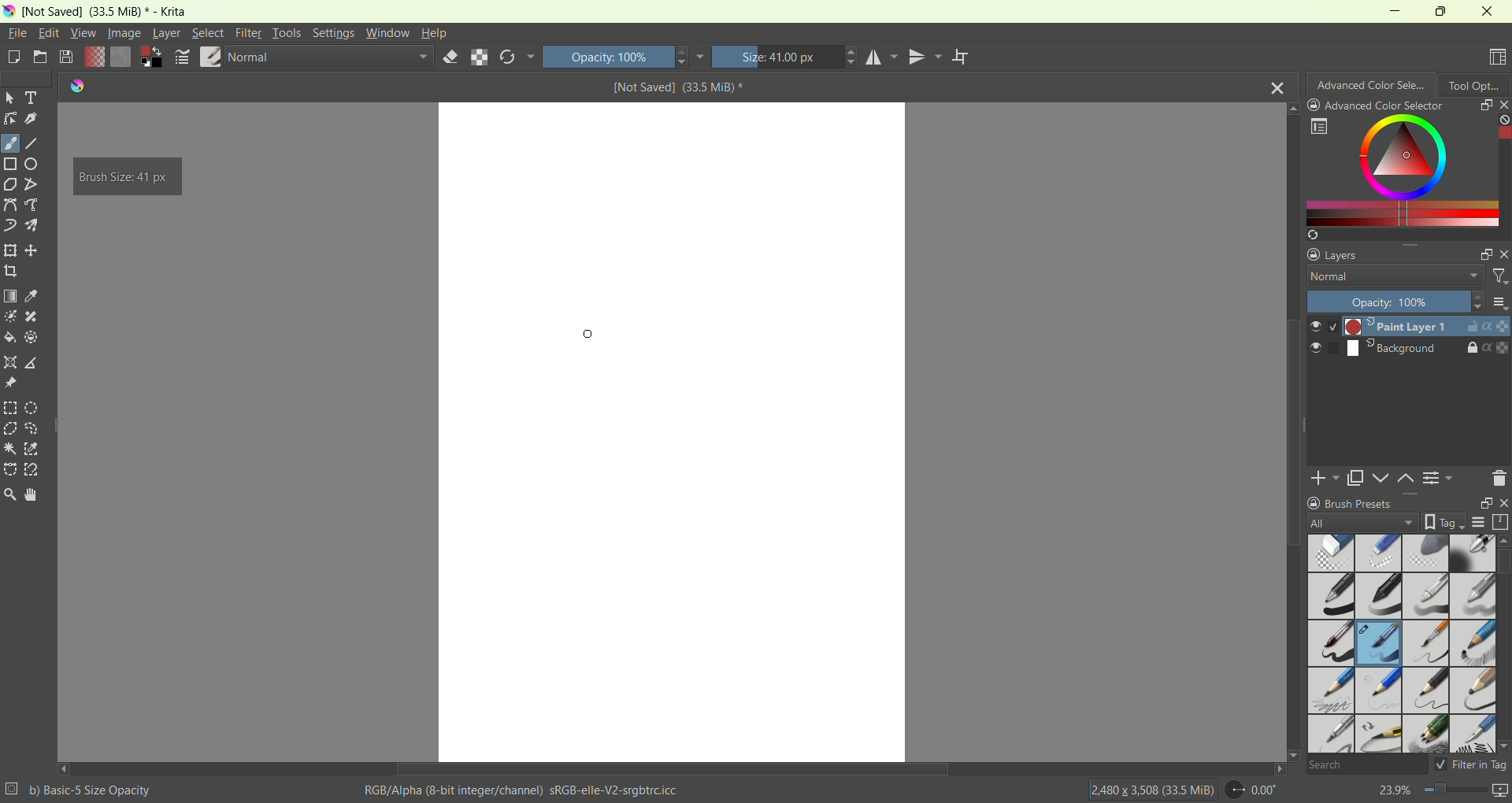 Image resolution: width=1512 pixels, height=803 pixels. What do you see at coordinates (1499, 57) in the screenshot?
I see `choose workspace` at bounding box center [1499, 57].